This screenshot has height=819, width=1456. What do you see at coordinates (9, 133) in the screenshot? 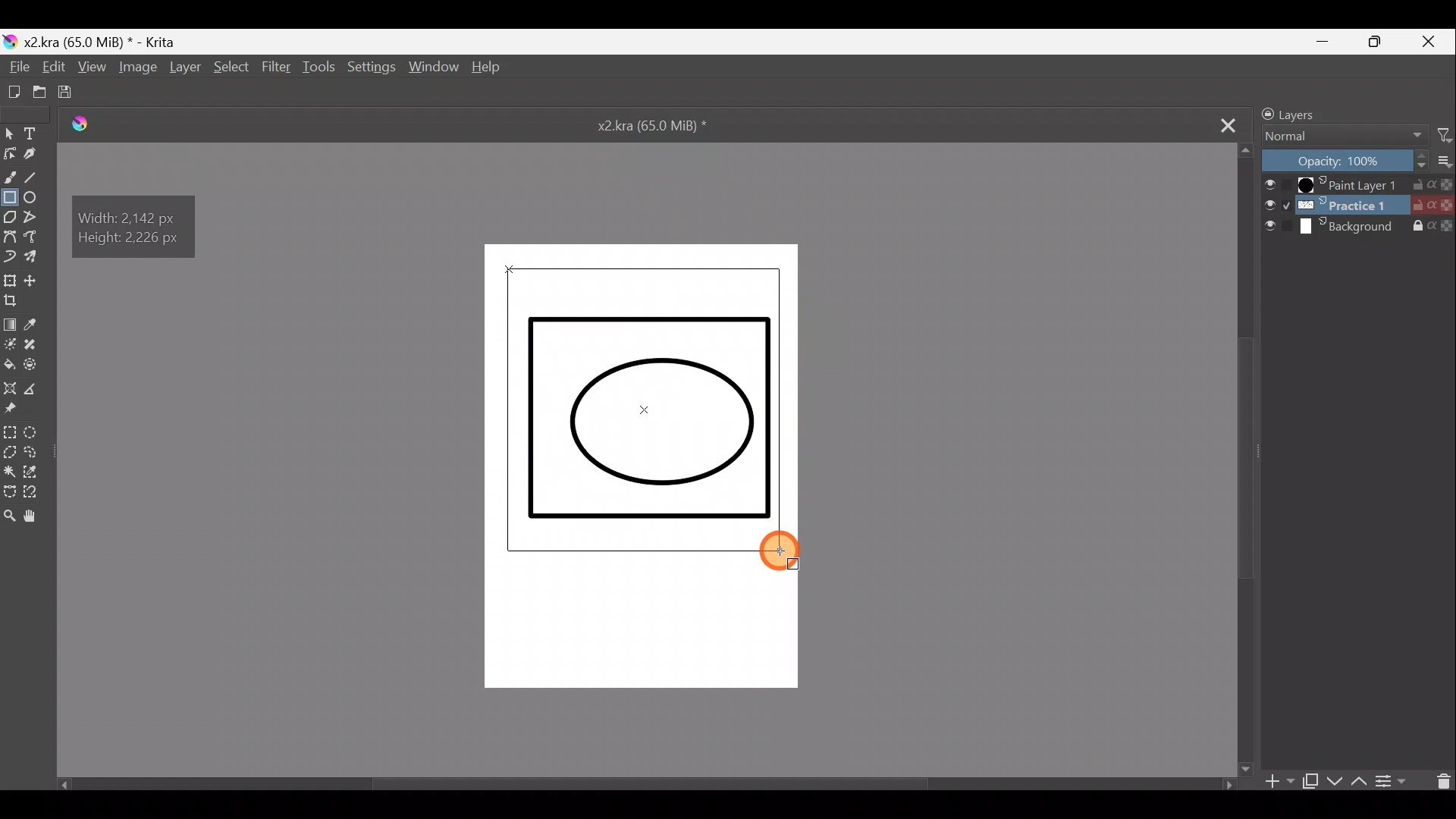
I see `Select shapes tool` at bounding box center [9, 133].